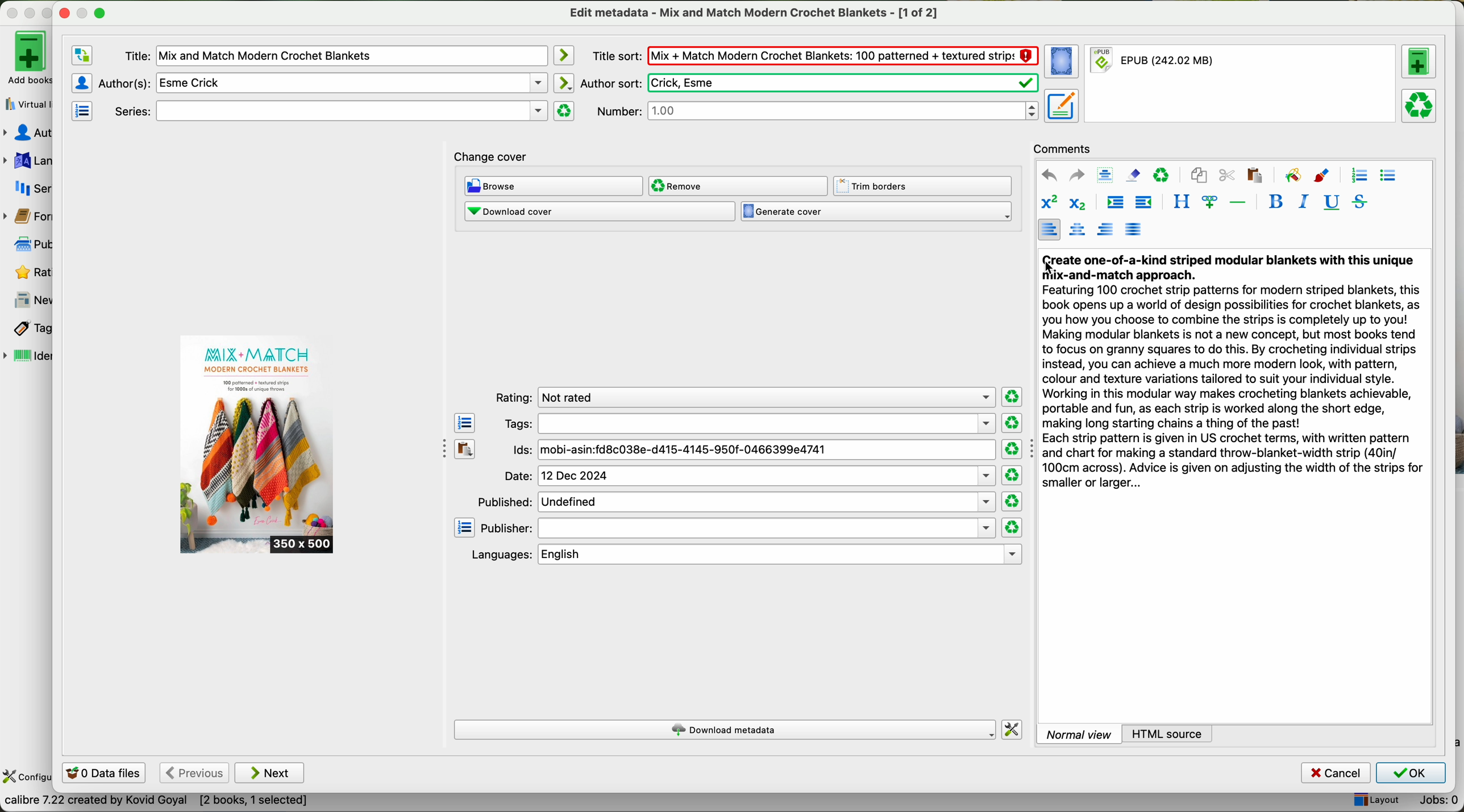 The image size is (1464, 812). I want to click on layout, so click(1375, 801).